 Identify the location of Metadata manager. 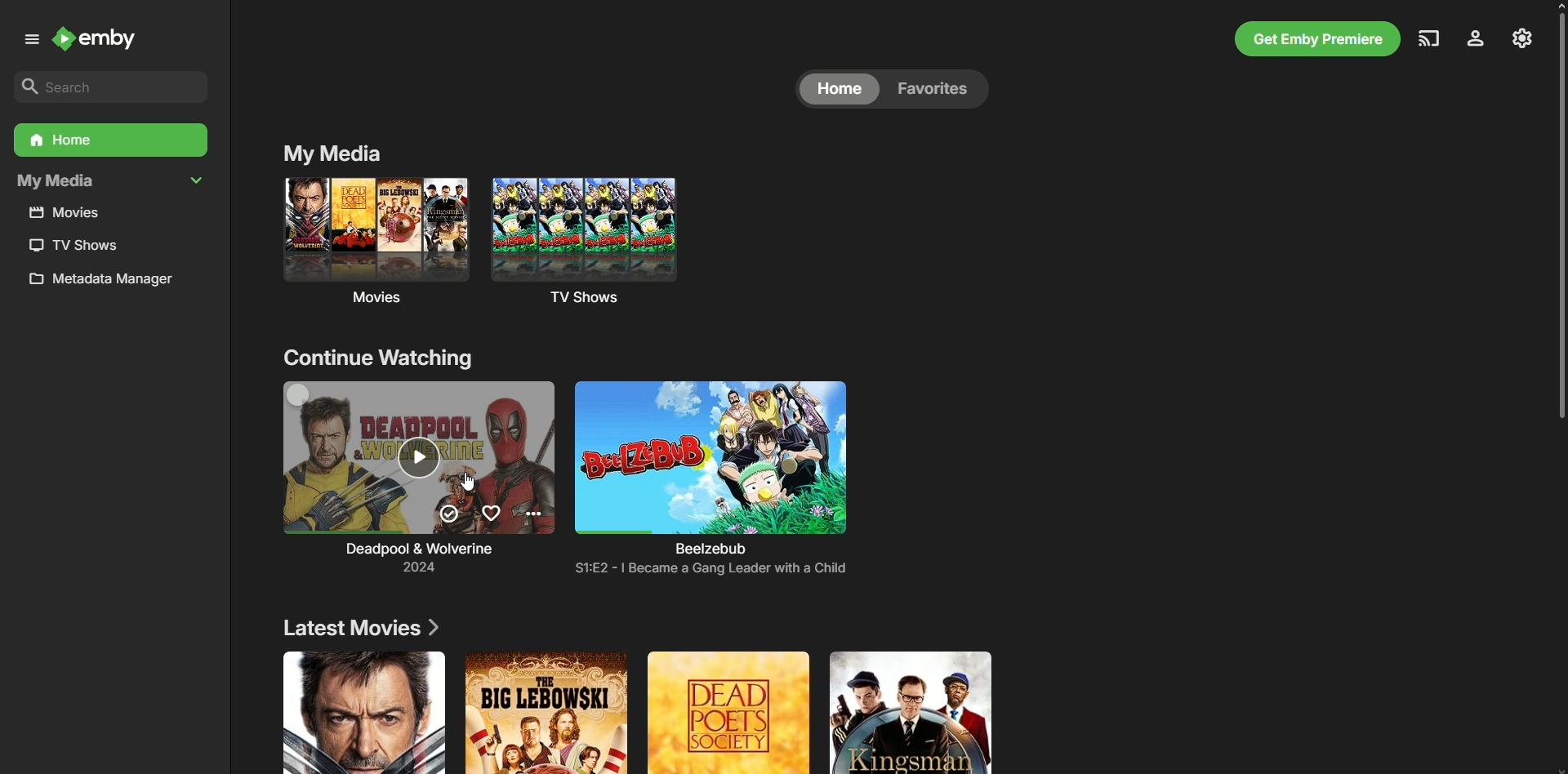
(108, 282).